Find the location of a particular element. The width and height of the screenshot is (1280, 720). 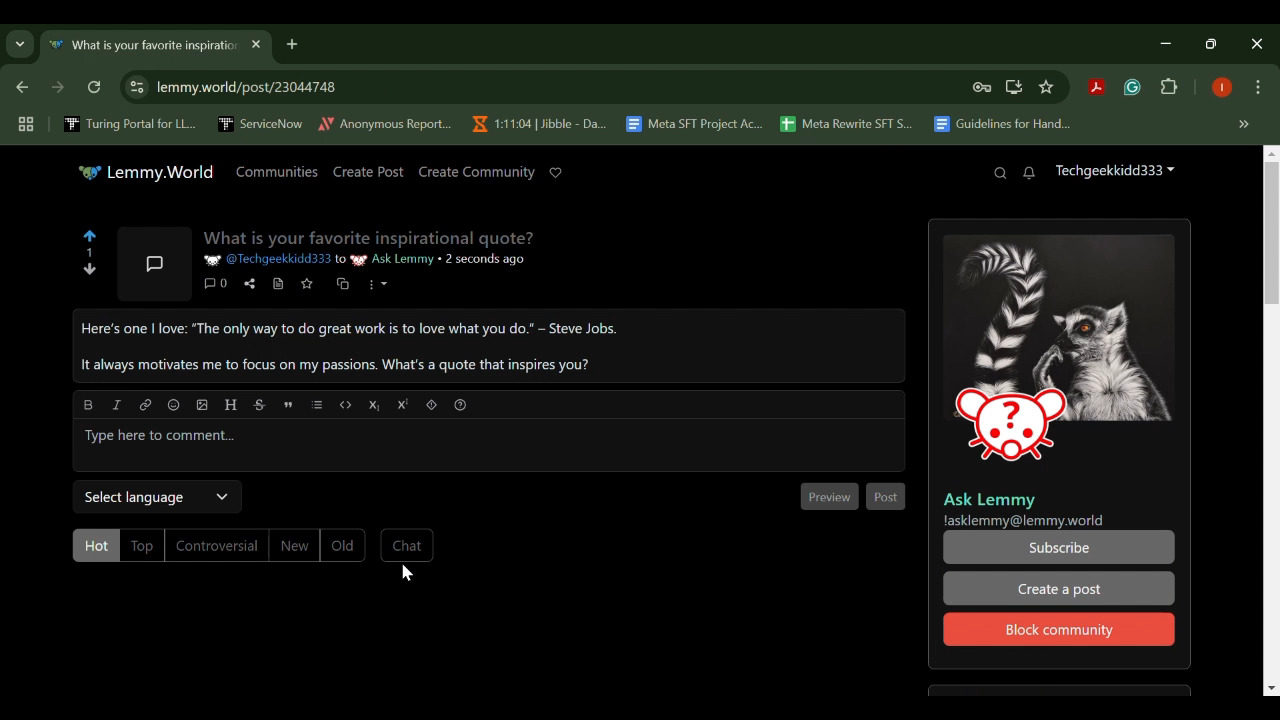

Hot is located at coordinates (98, 547).